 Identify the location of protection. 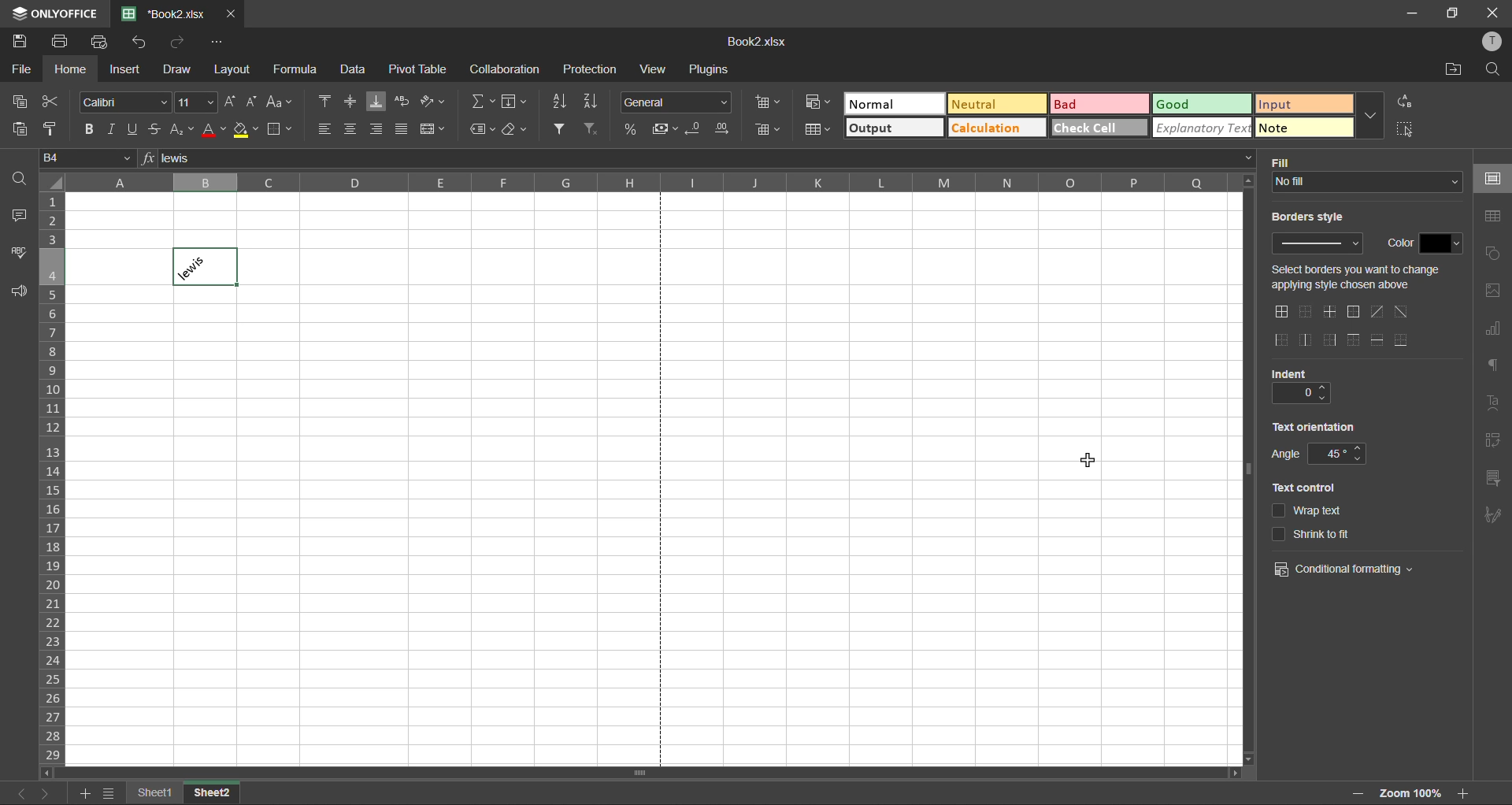
(590, 69).